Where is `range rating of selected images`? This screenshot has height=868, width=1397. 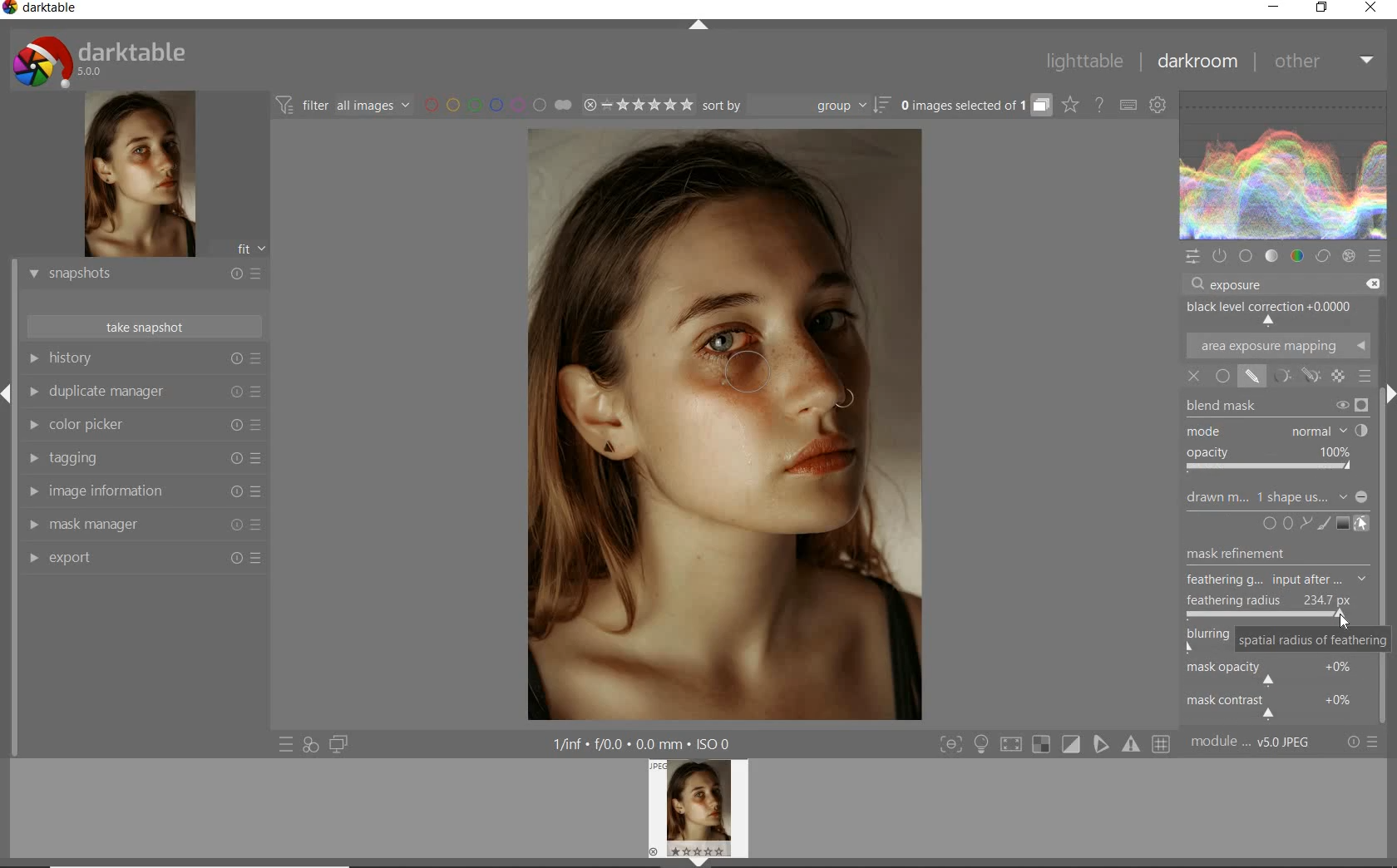
range rating of selected images is located at coordinates (639, 104).